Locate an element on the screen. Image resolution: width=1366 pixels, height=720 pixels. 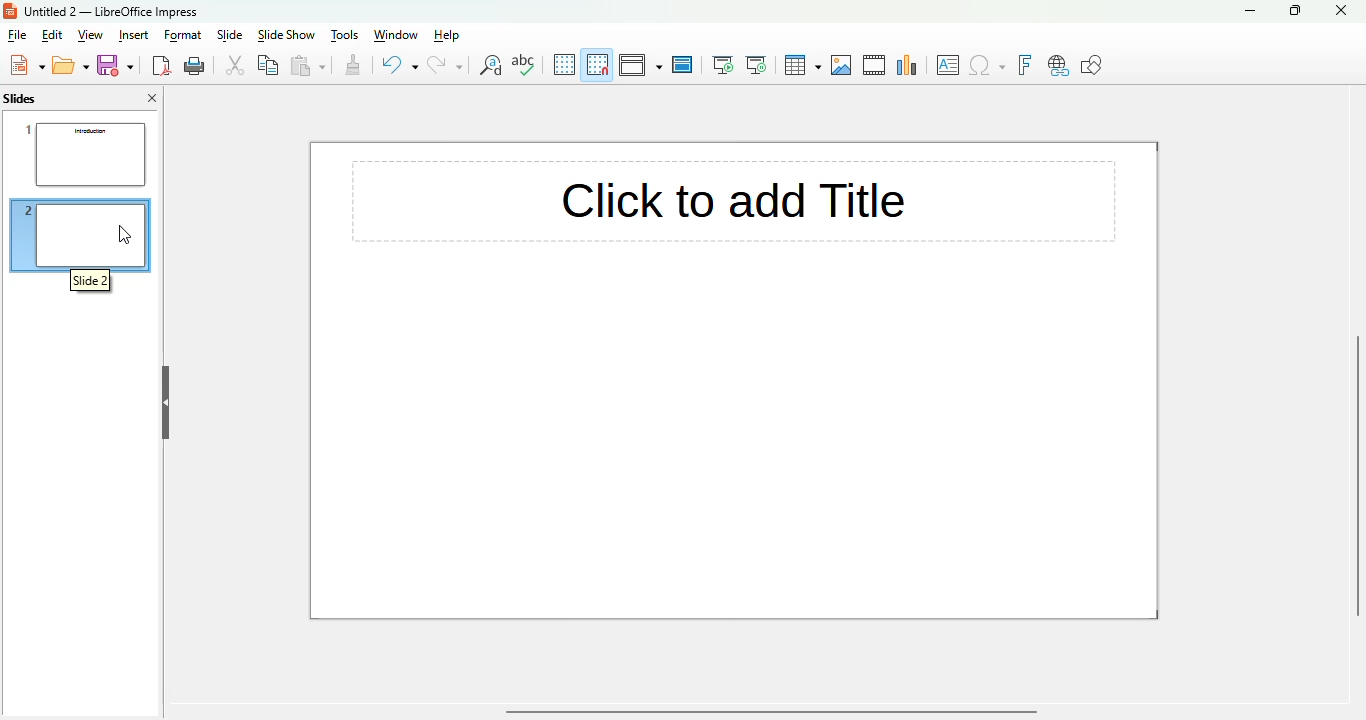
insert hyperlink is located at coordinates (1059, 66).